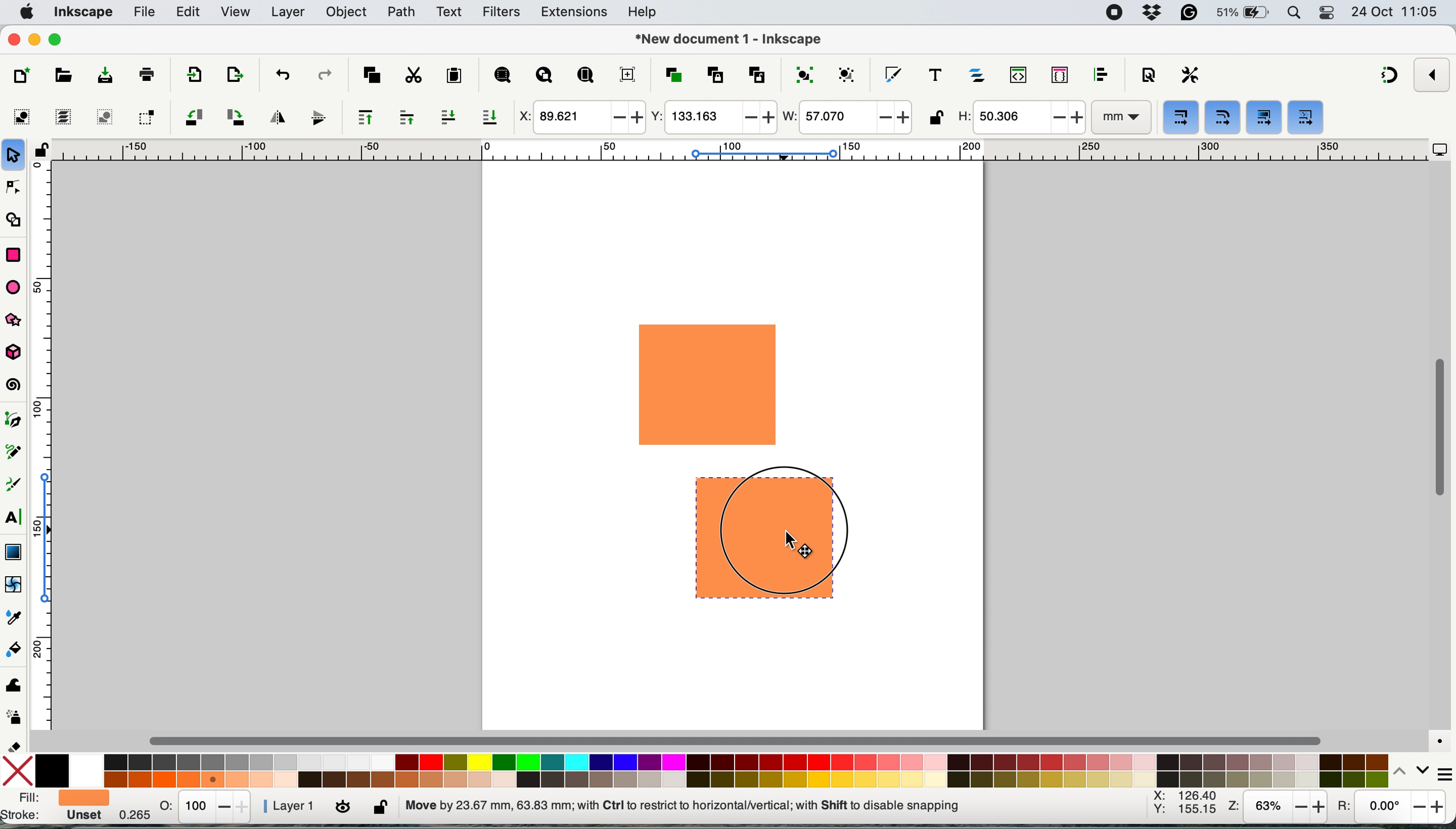  What do you see at coordinates (1433, 74) in the screenshot?
I see `enable snapping` at bounding box center [1433, 74].